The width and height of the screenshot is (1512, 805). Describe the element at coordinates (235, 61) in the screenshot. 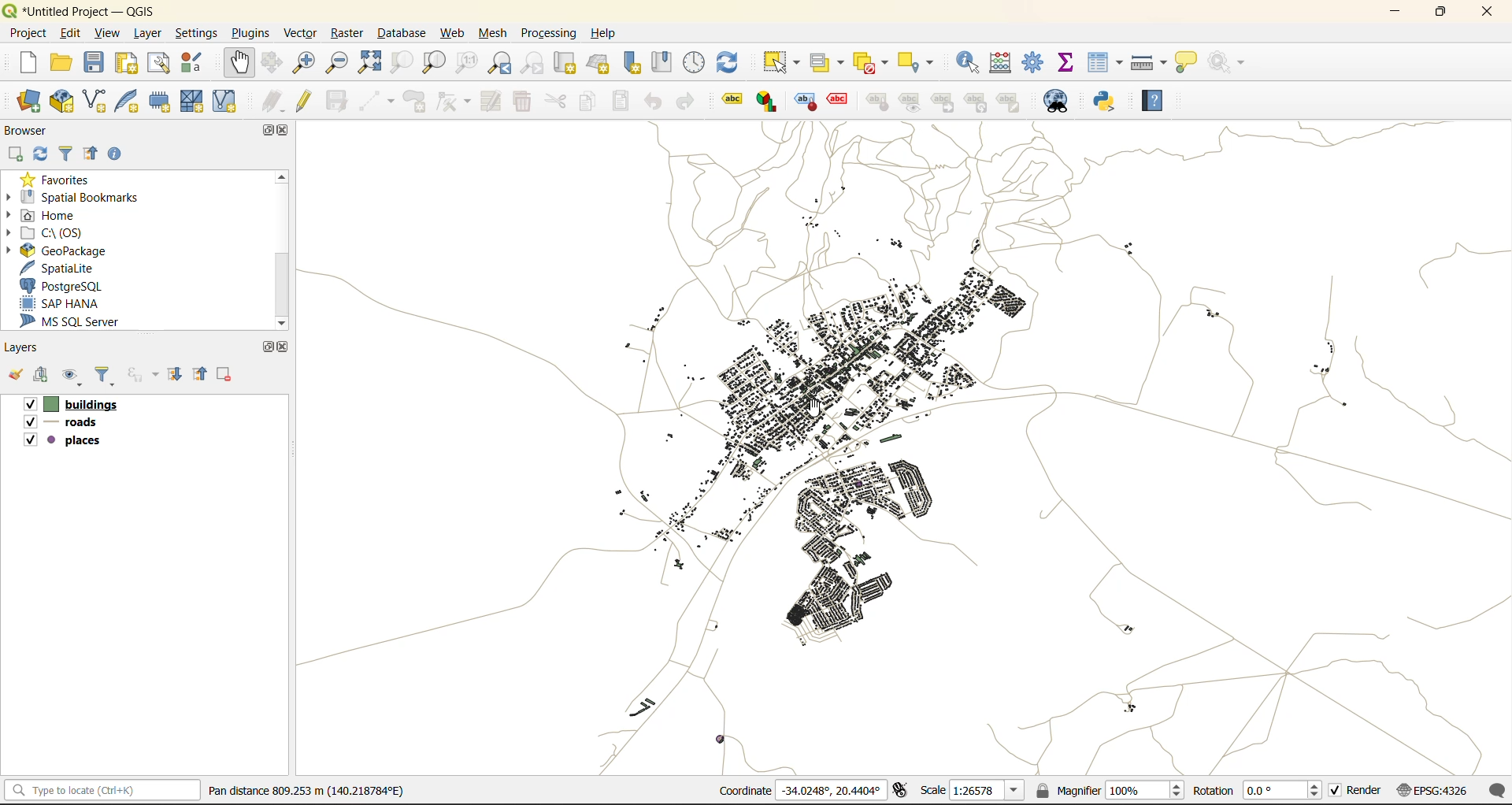

I see `pan map` at that location.